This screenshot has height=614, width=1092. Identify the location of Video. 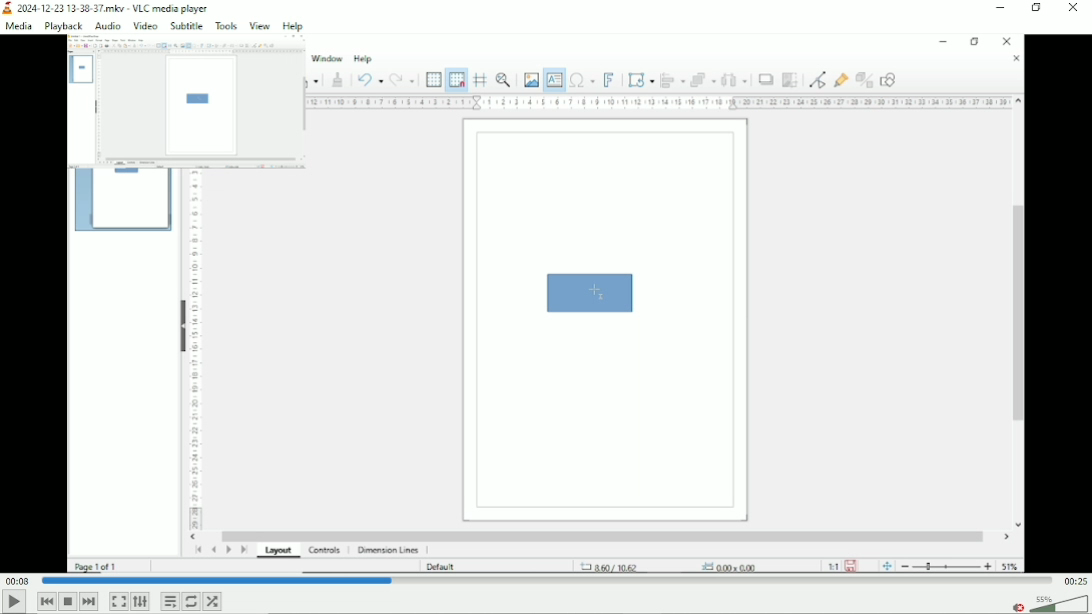
(545, 414).